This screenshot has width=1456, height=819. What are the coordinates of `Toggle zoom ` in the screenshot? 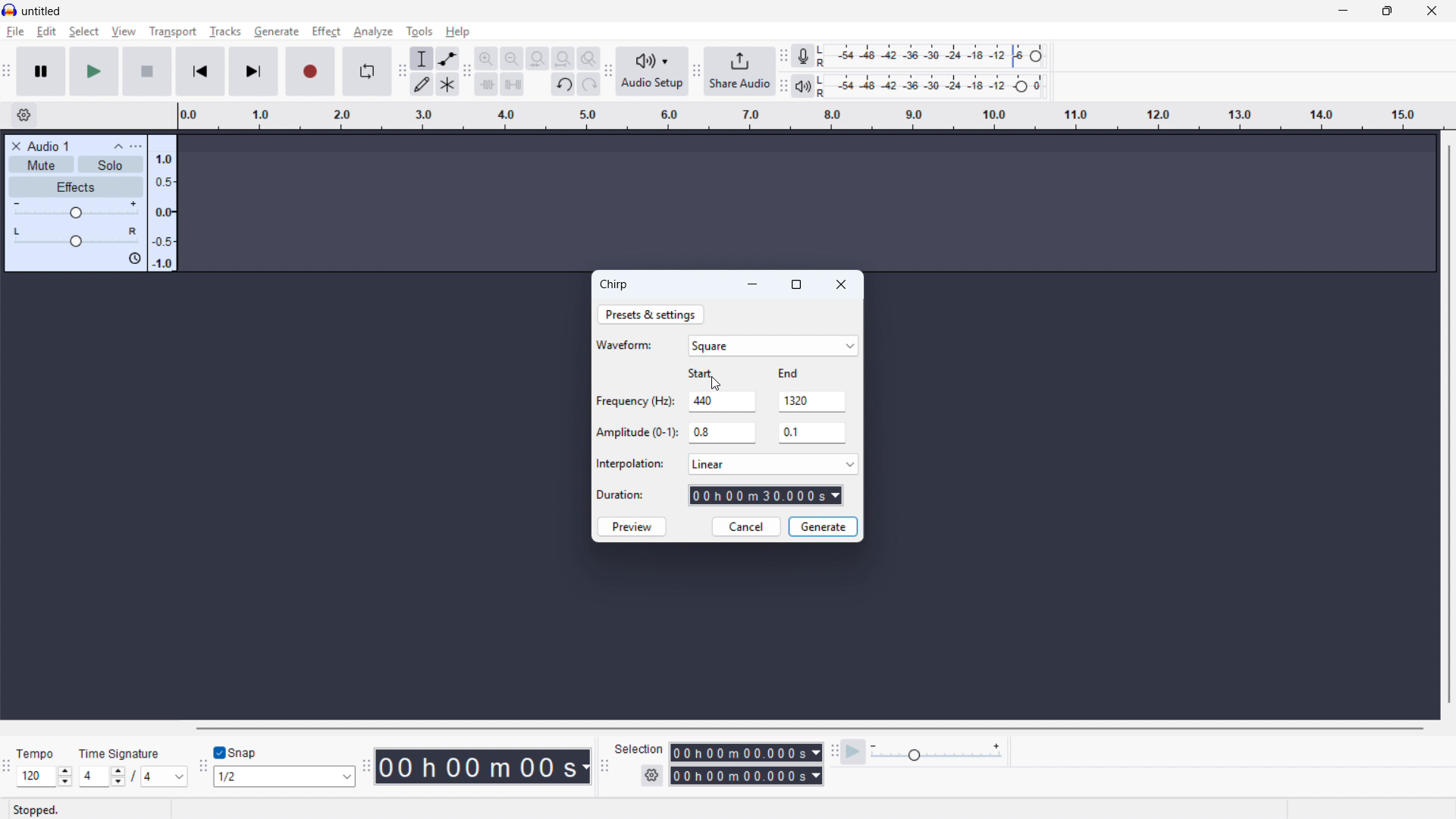 It's located at (588, 58).